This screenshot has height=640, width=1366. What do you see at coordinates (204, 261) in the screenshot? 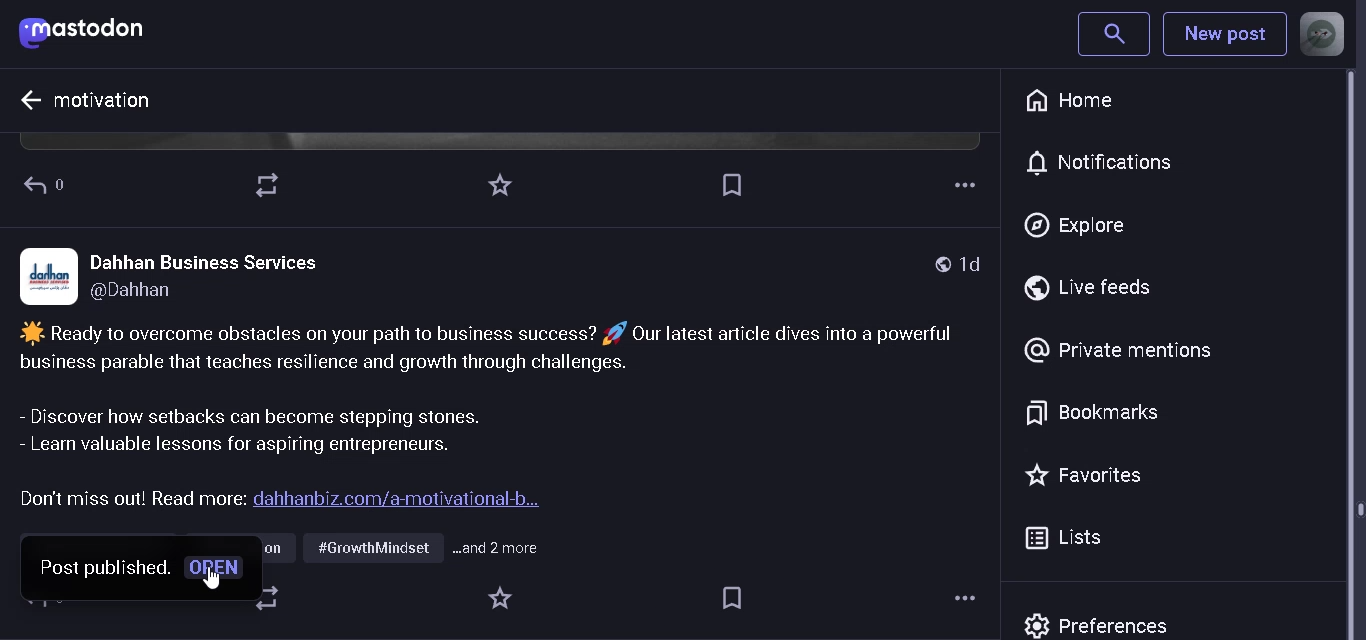
I see `Dahhan Business Services` at bounding box center [204, 261].